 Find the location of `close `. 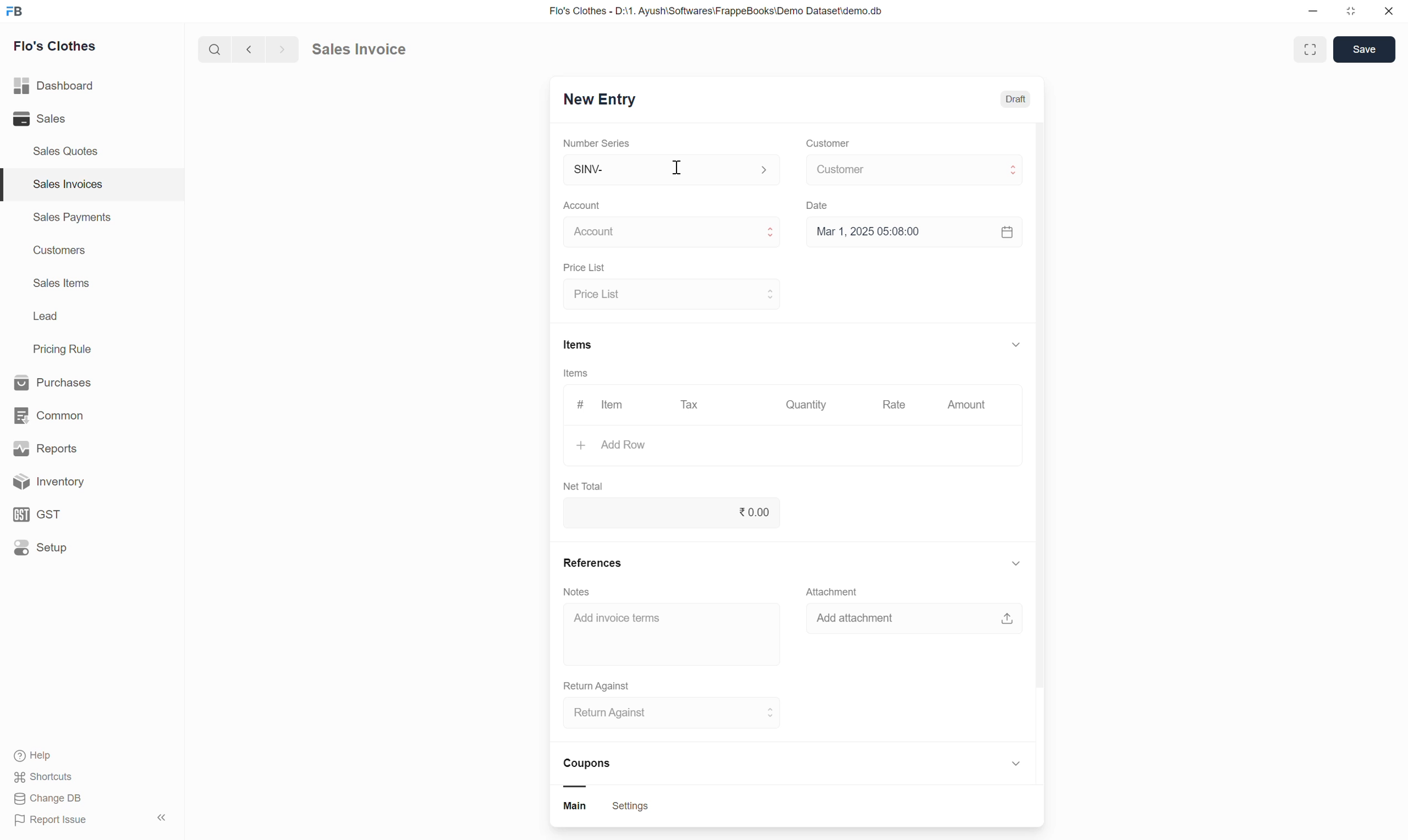

close  is located at coordinates (1390, 12).